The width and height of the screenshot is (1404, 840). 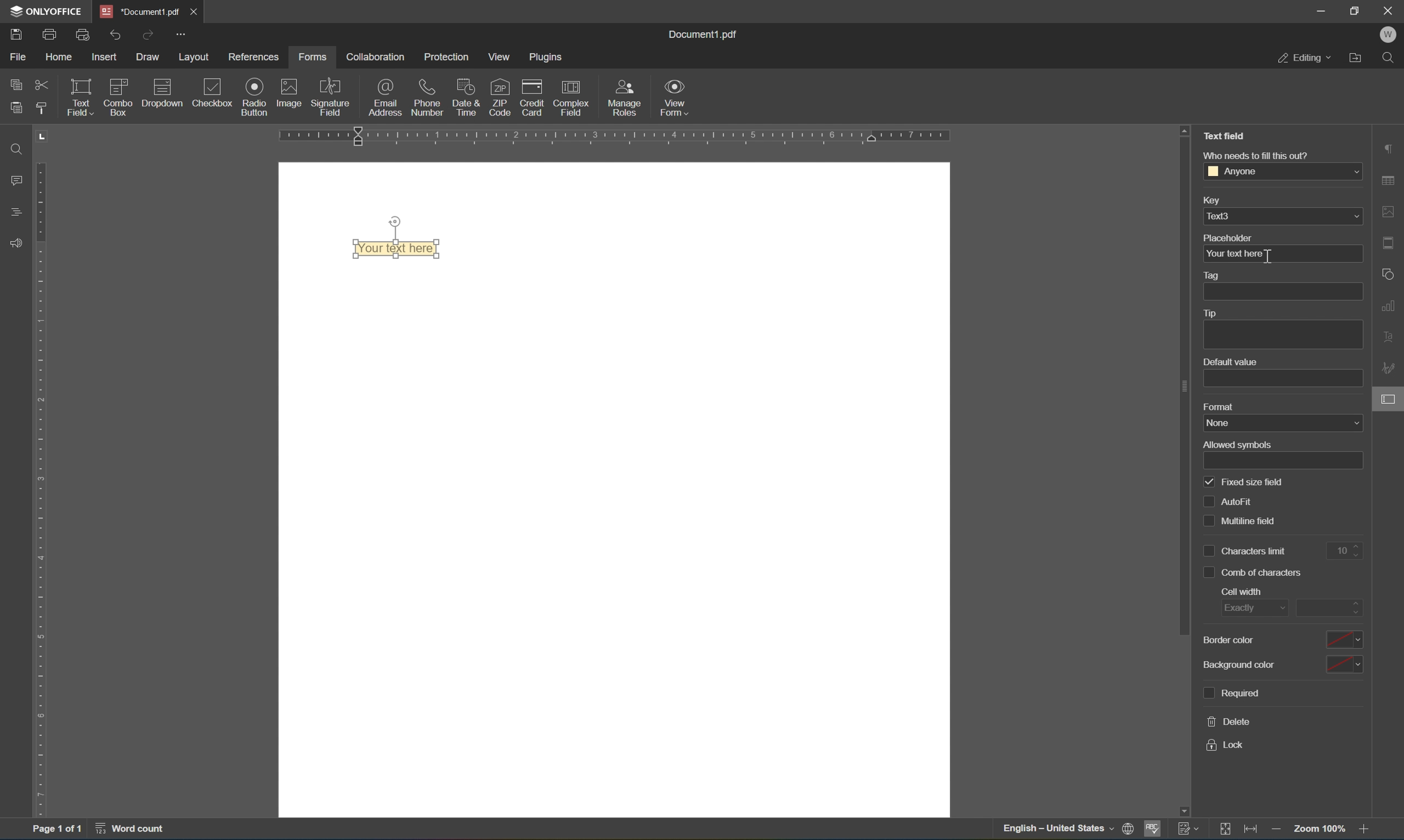 I want to click on redo, so click(x=148, y=33).